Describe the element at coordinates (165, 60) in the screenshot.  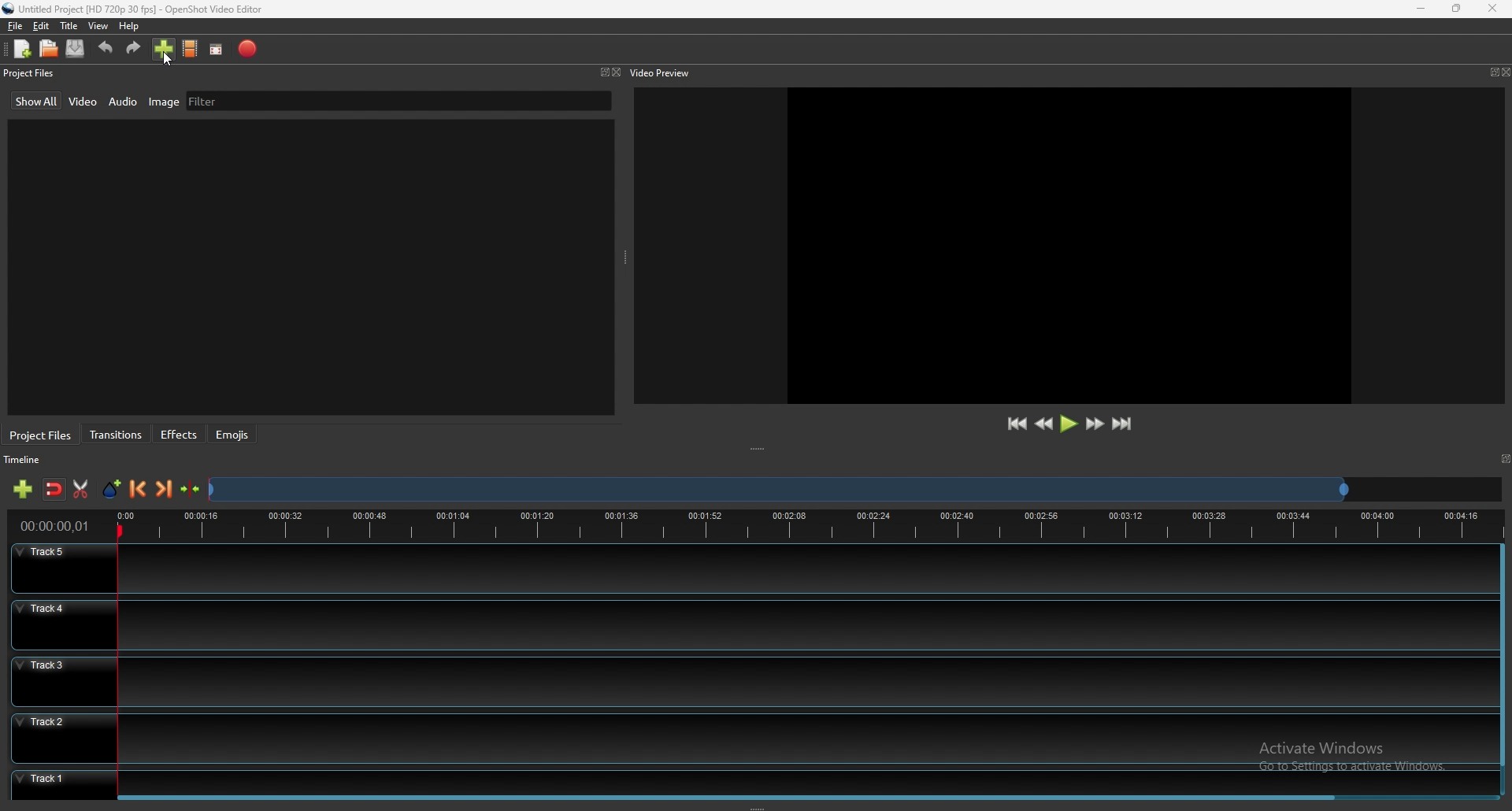
I see `cursor` at that location.